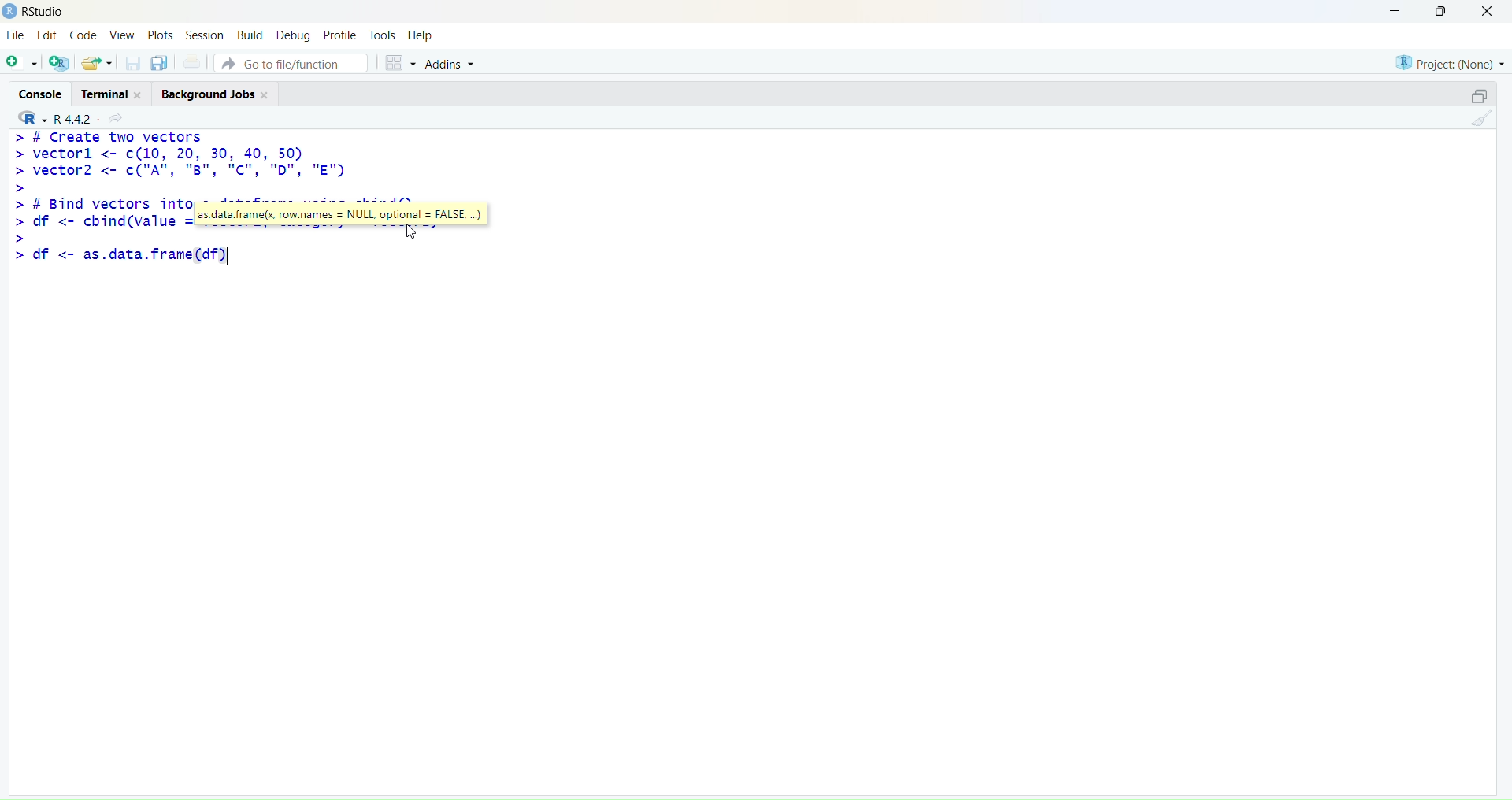 This screenshot has width=1512, height=800. I want to click on # Bind vectors into a dataframe using cbind()df <- cbind(value = vectorl, Category = vector2), so click(97, 220).